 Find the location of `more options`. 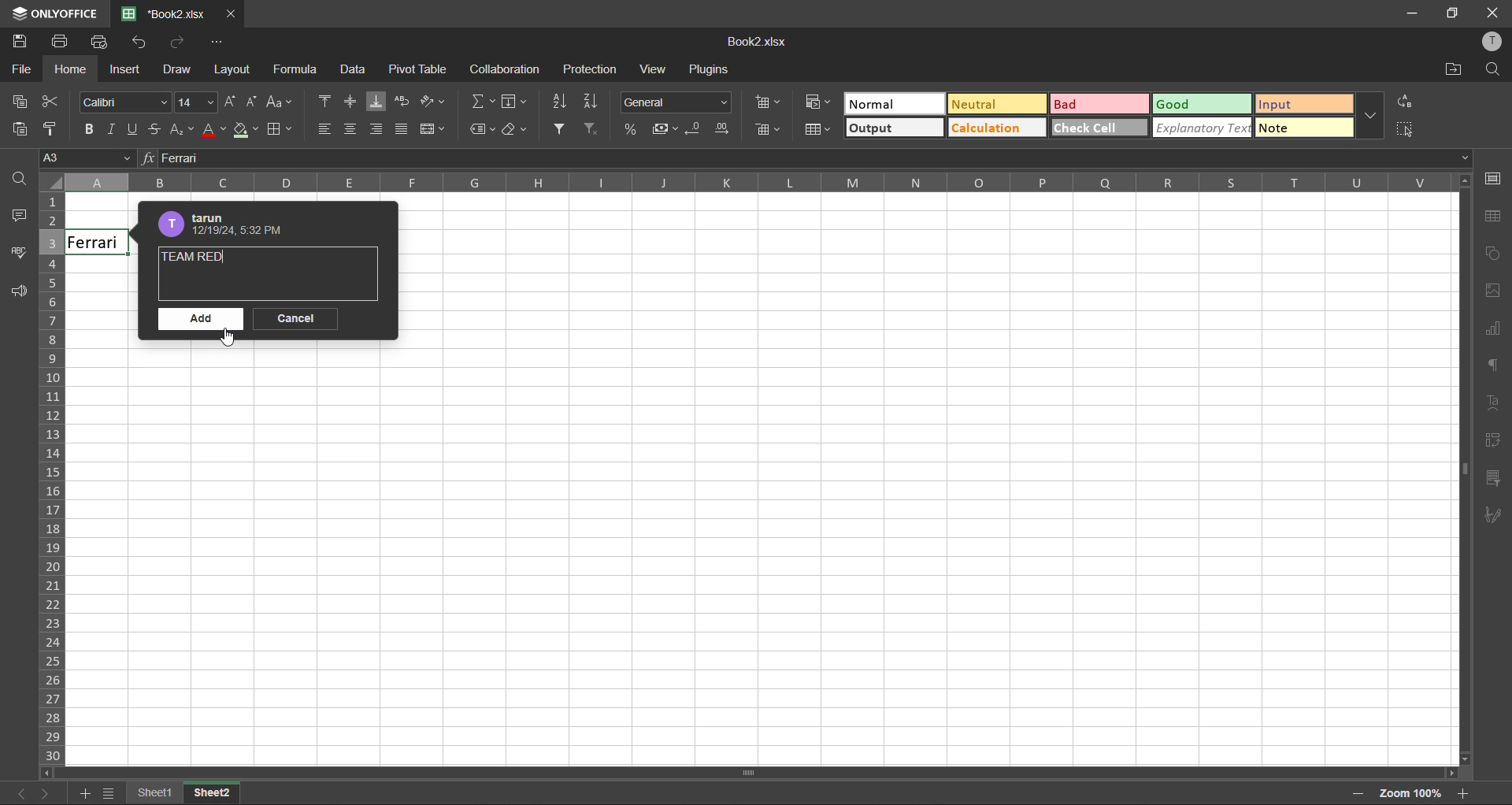

more options is located at coordinates (1373, 120).